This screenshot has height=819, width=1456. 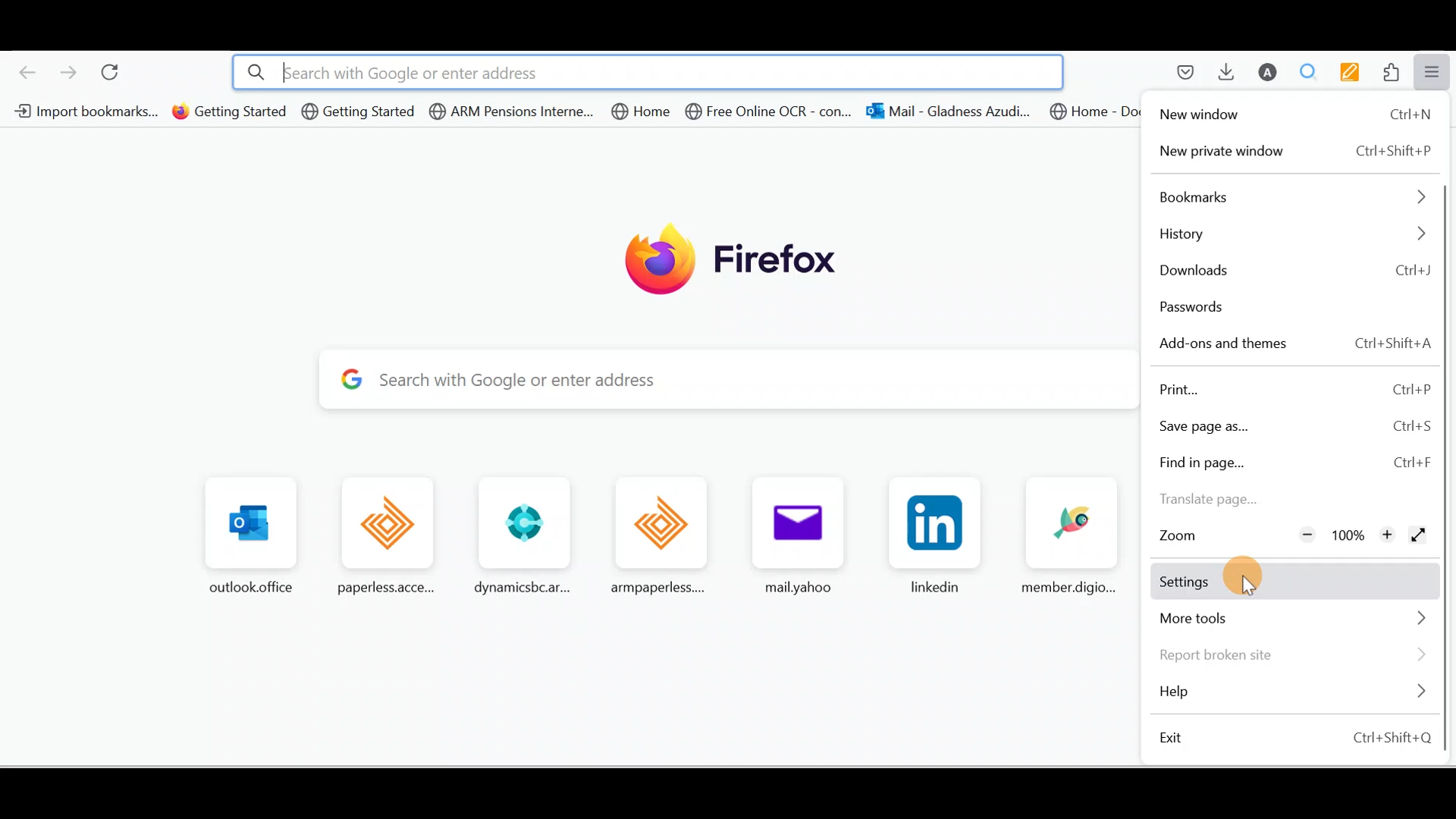 I want to click on Help, so click(x=1291, y=691).